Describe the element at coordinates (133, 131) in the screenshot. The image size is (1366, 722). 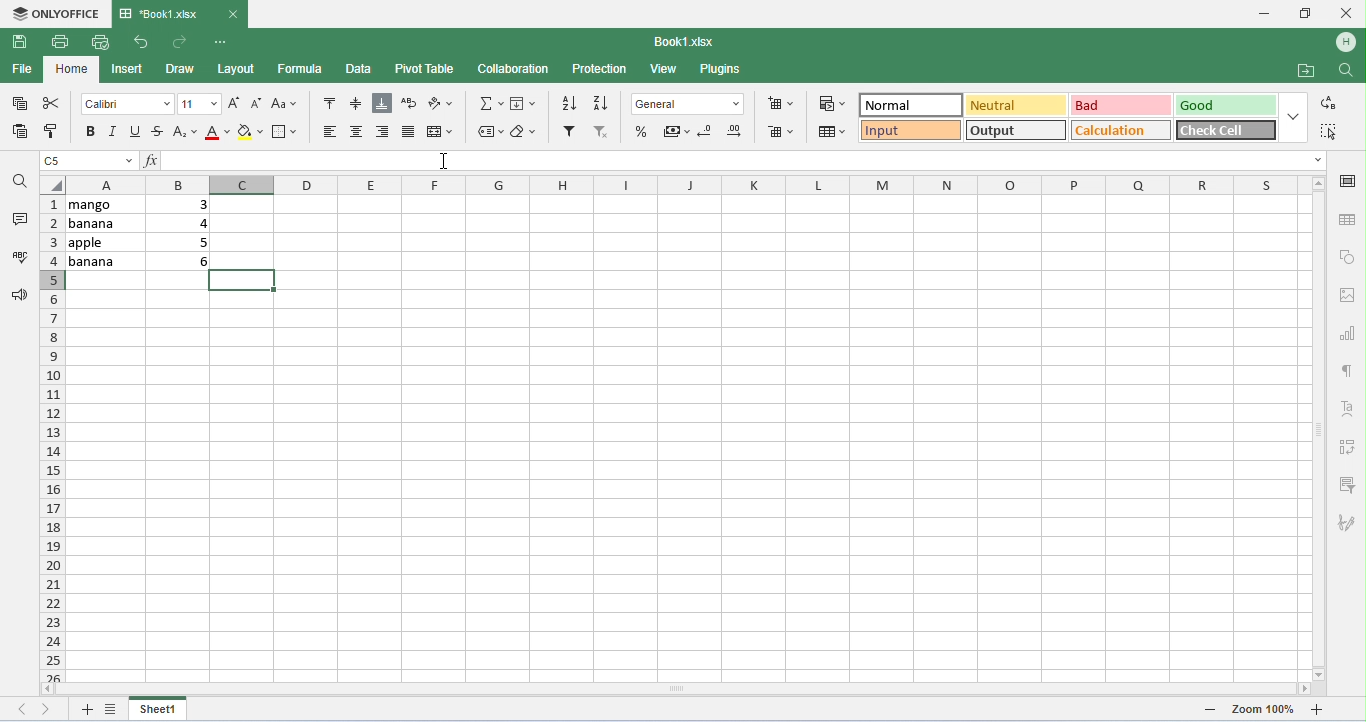
I see `underline` at that location.